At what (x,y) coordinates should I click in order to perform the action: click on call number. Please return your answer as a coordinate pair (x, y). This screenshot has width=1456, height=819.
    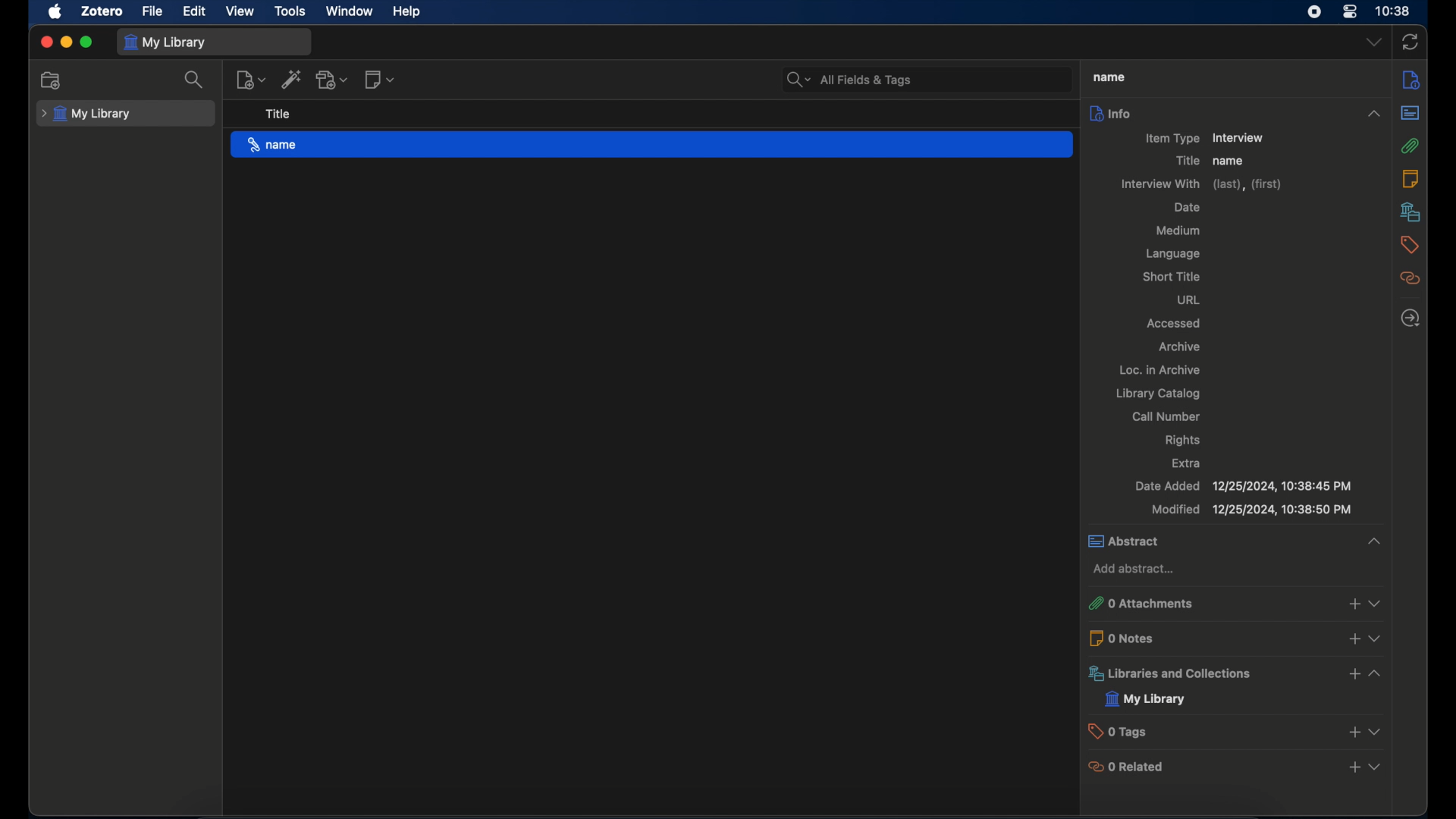
    Looking at the image, I should click on (1169, 416).